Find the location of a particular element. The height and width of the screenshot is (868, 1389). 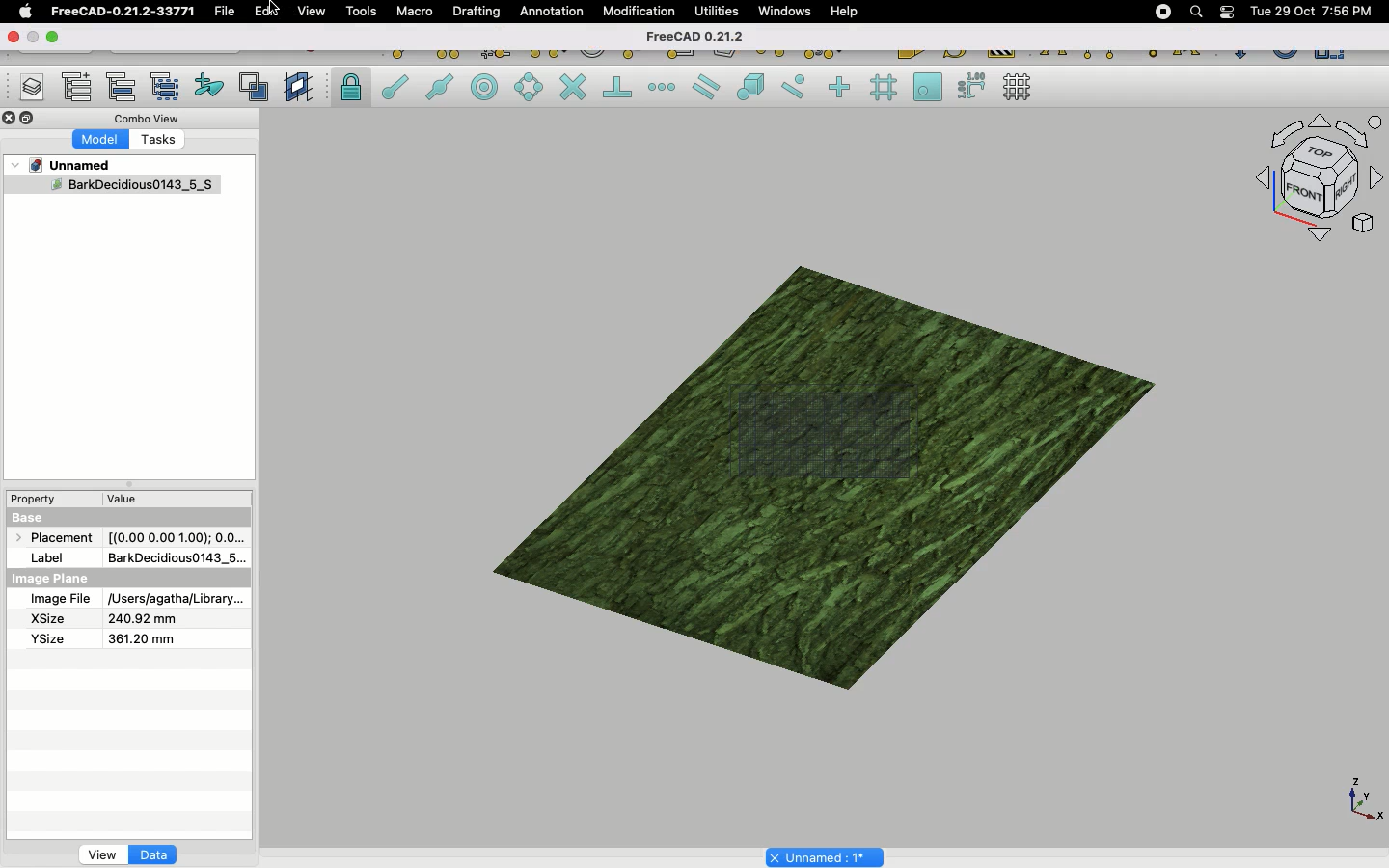

Notification is located at coordinates (1229, 11).